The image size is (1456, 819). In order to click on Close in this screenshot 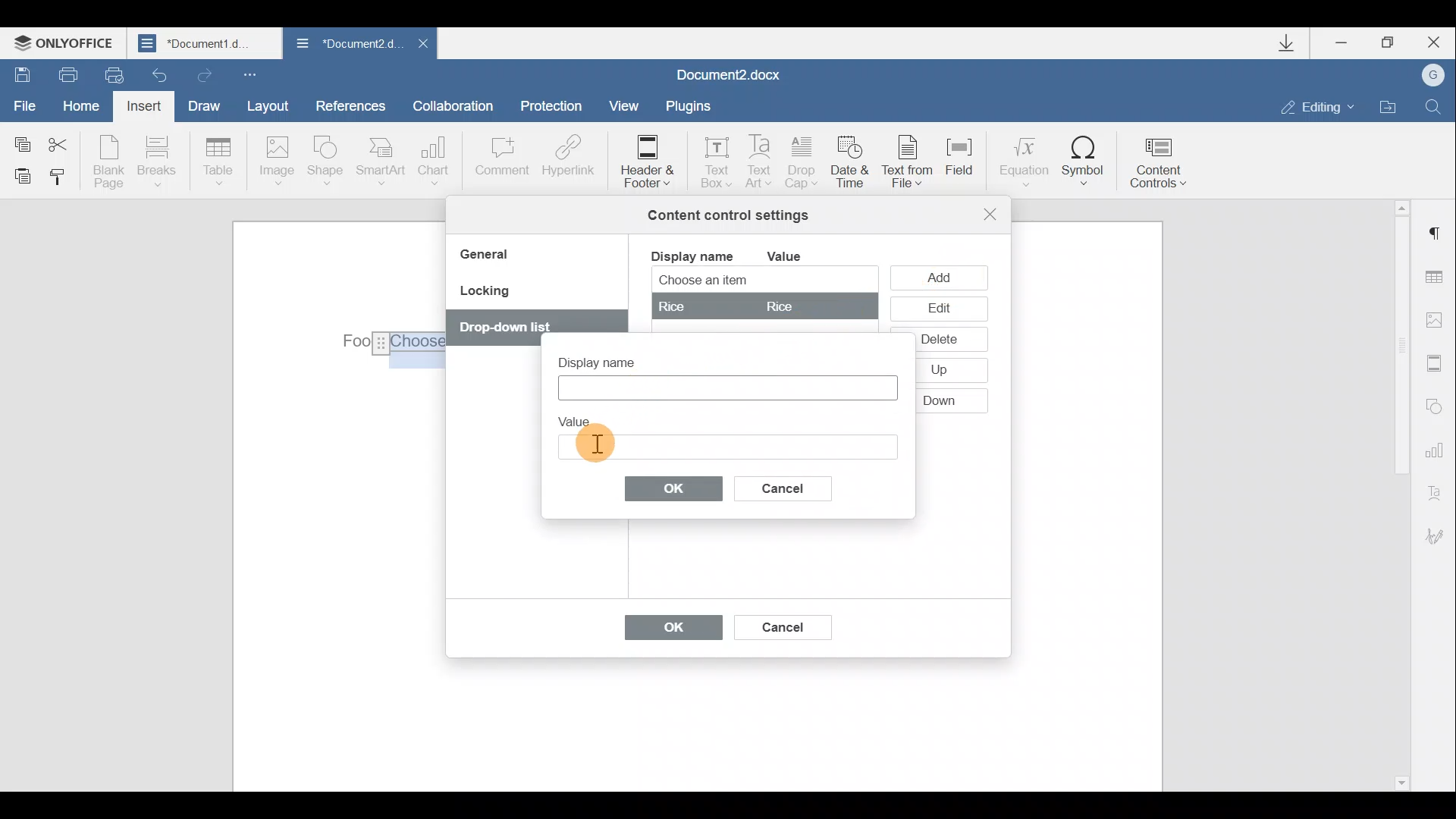, I will do `click(990, 214)`.